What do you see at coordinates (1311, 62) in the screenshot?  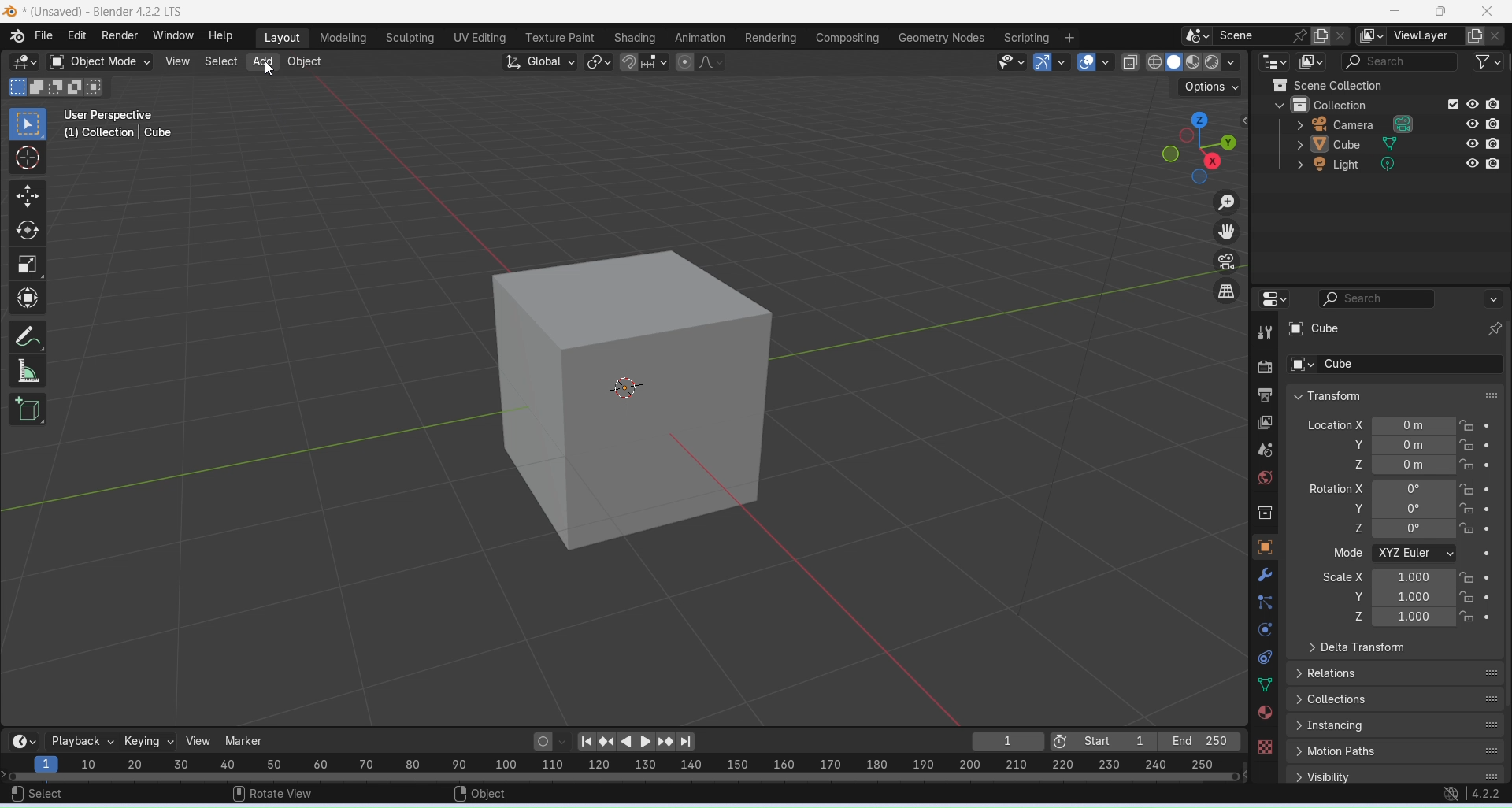 I see `Display mode` at bounding box center [1311, 62].